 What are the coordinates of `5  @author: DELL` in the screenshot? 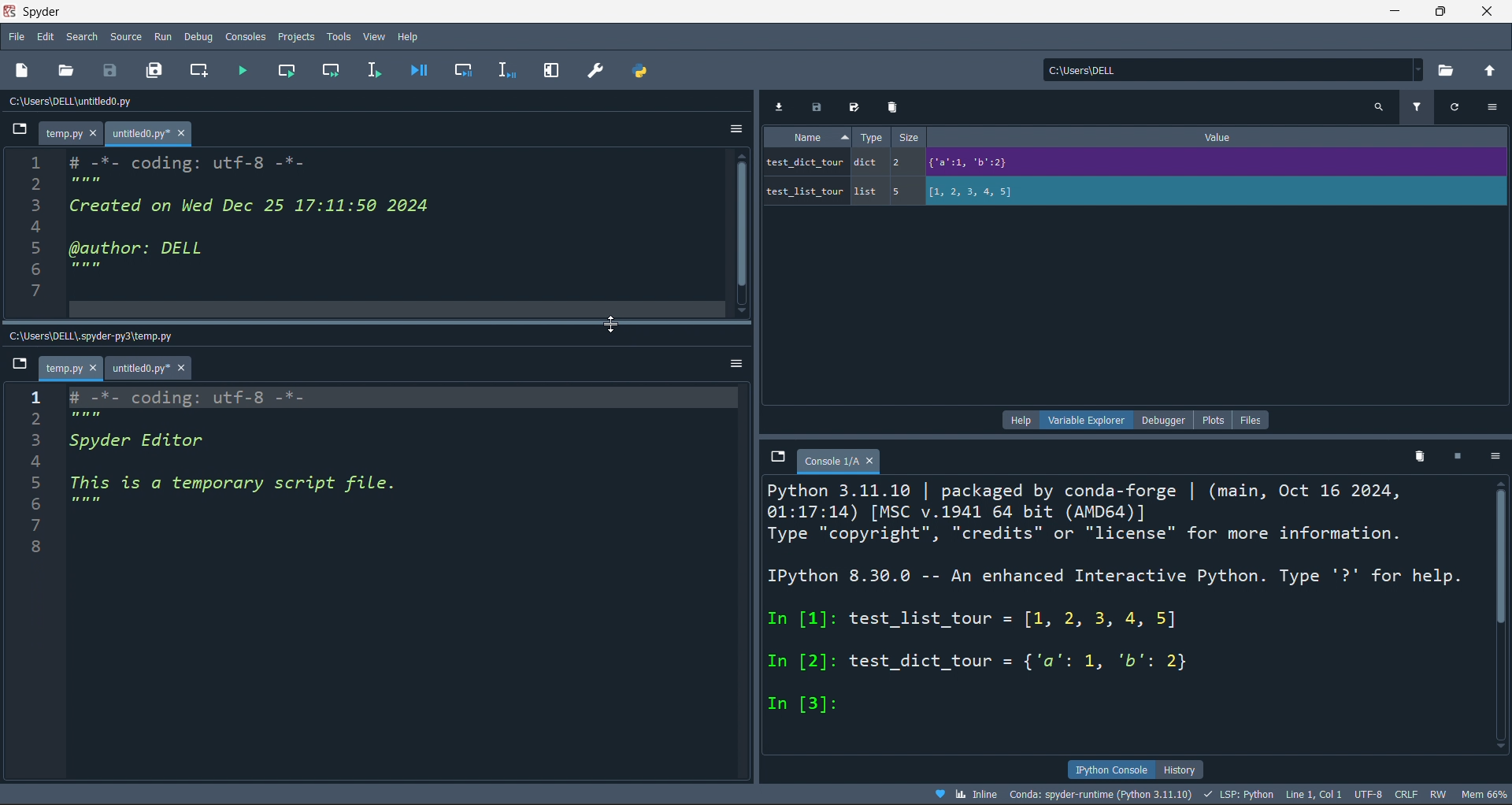 It's located at (149, 250).